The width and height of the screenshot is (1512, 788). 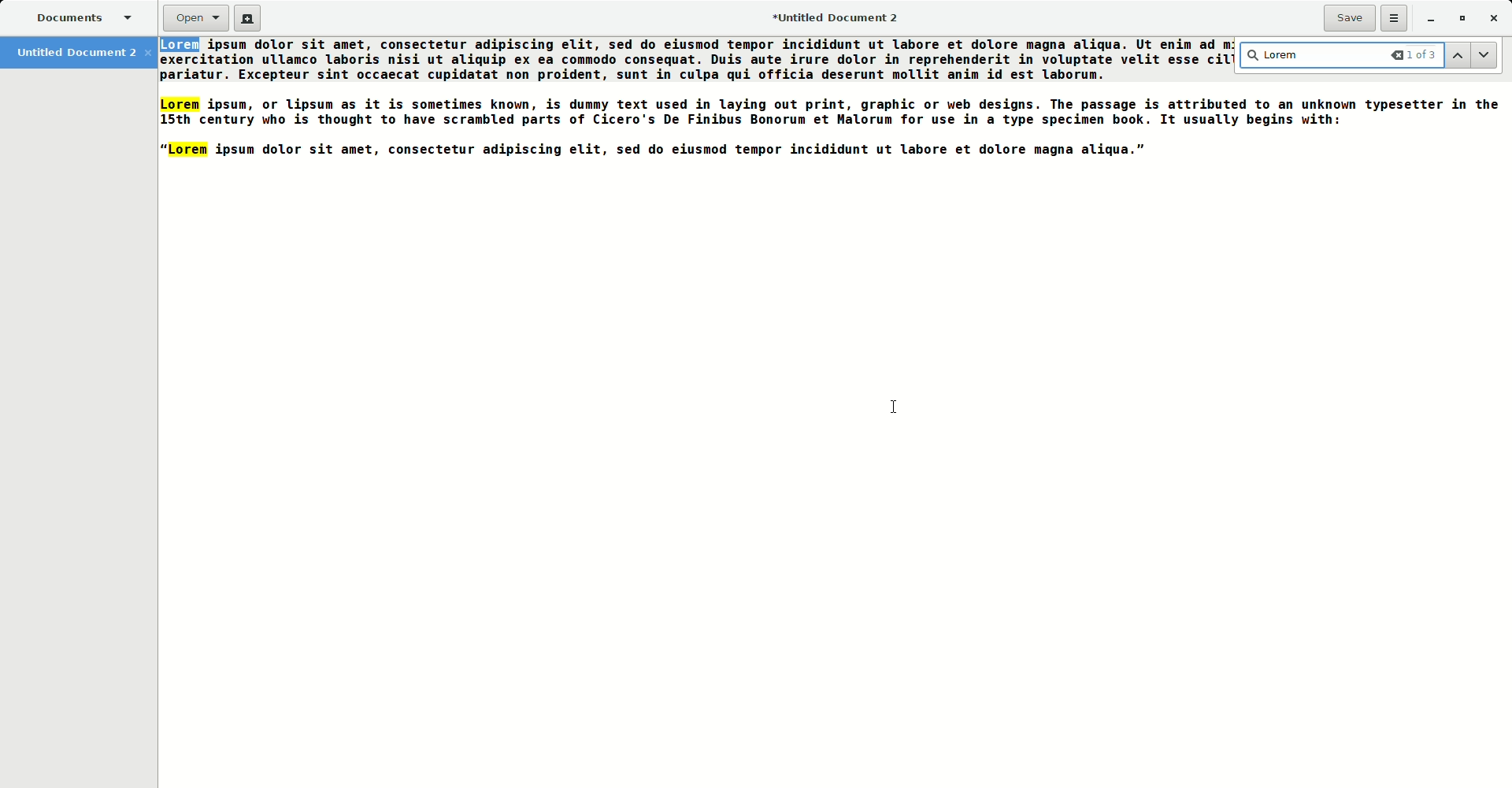 What do you see at coordinates (80, 54) in the screenshot?
I see `Untitled document` at bounding box center [80, 54].